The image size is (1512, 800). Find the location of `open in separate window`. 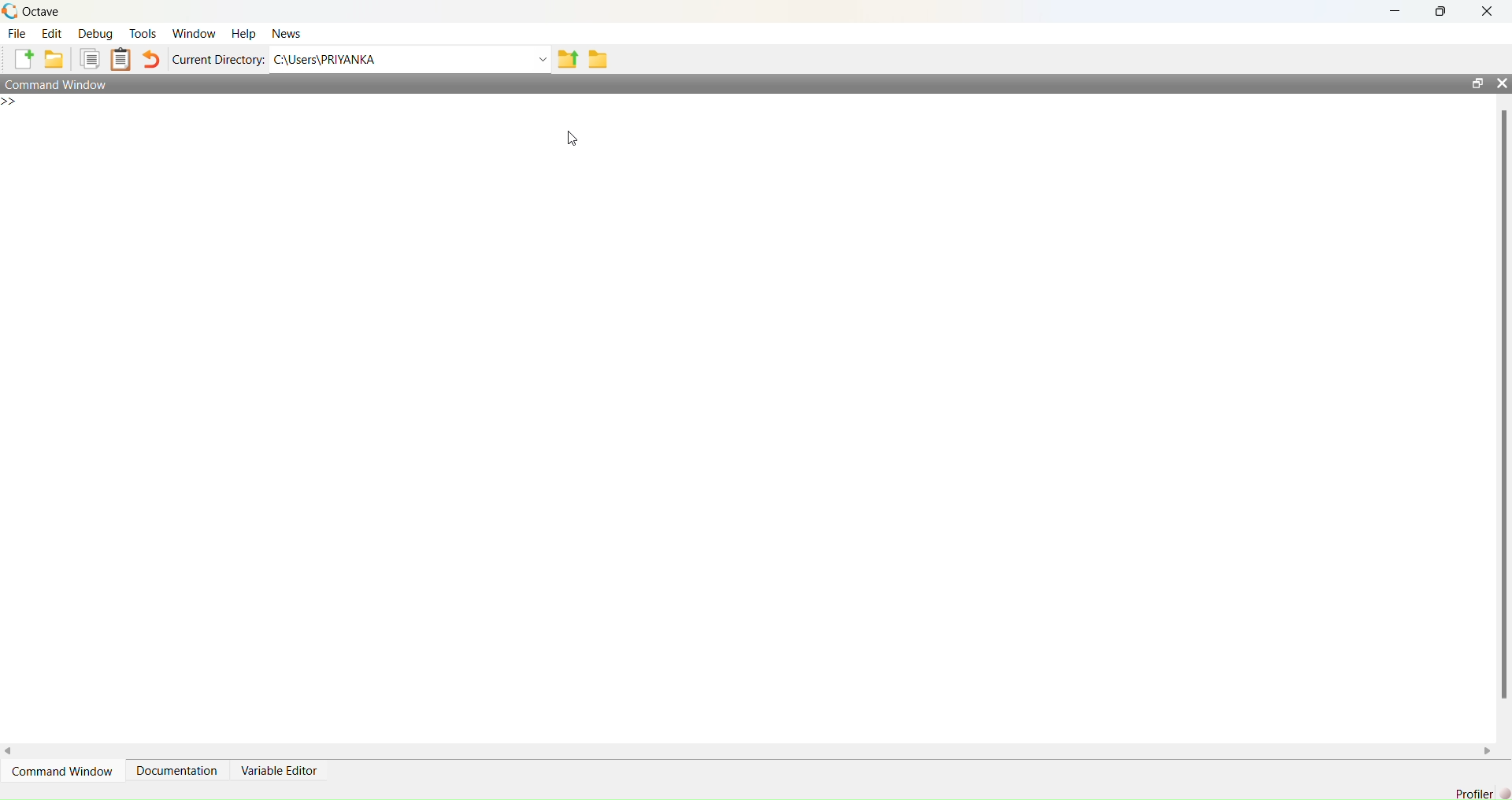

open in separate window is located at coordinates (1477, 83).